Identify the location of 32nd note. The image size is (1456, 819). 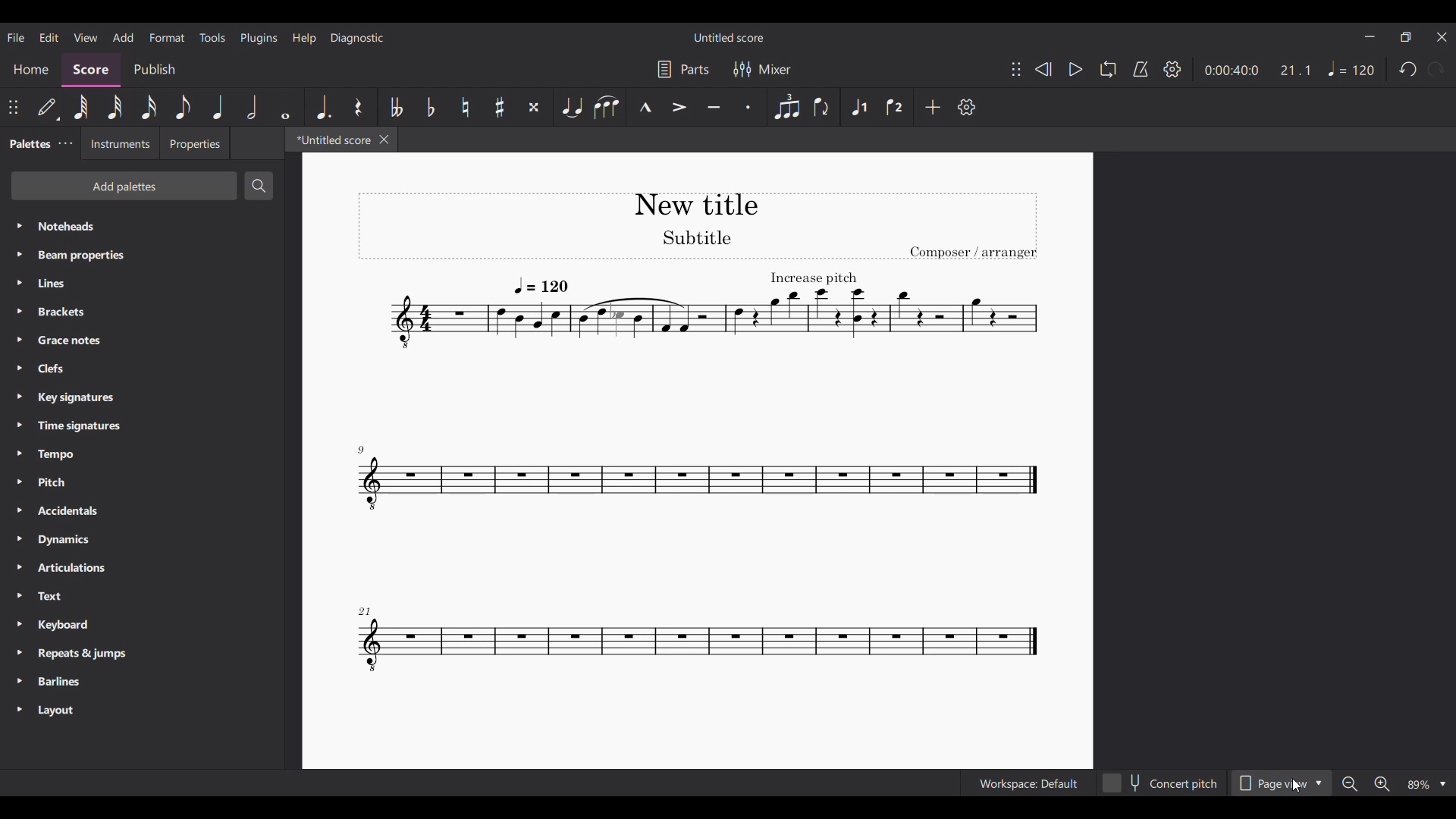
(115, 108).